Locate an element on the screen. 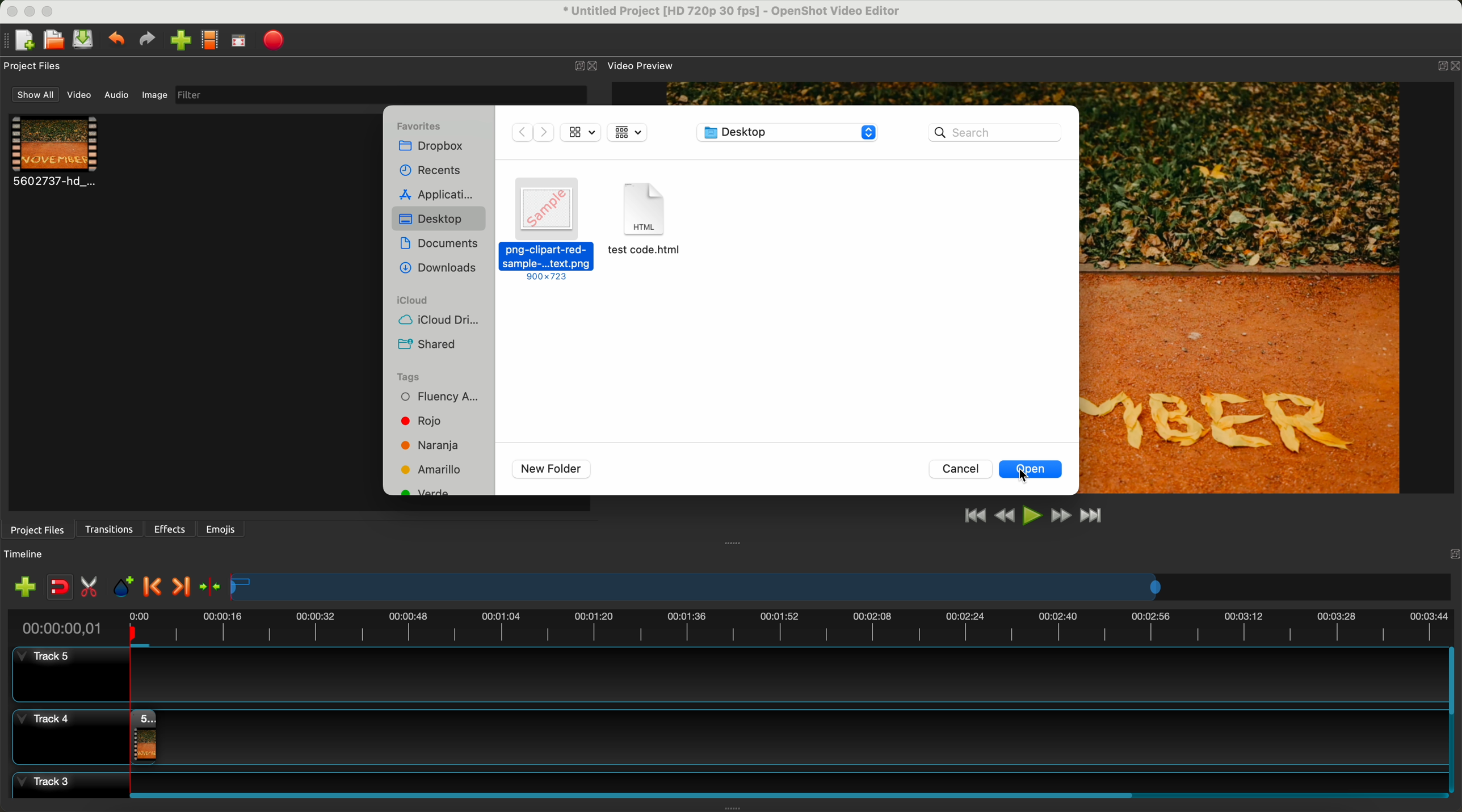 This screenshot has height=812, width=1462. documents is located at coordinates (439, 243).